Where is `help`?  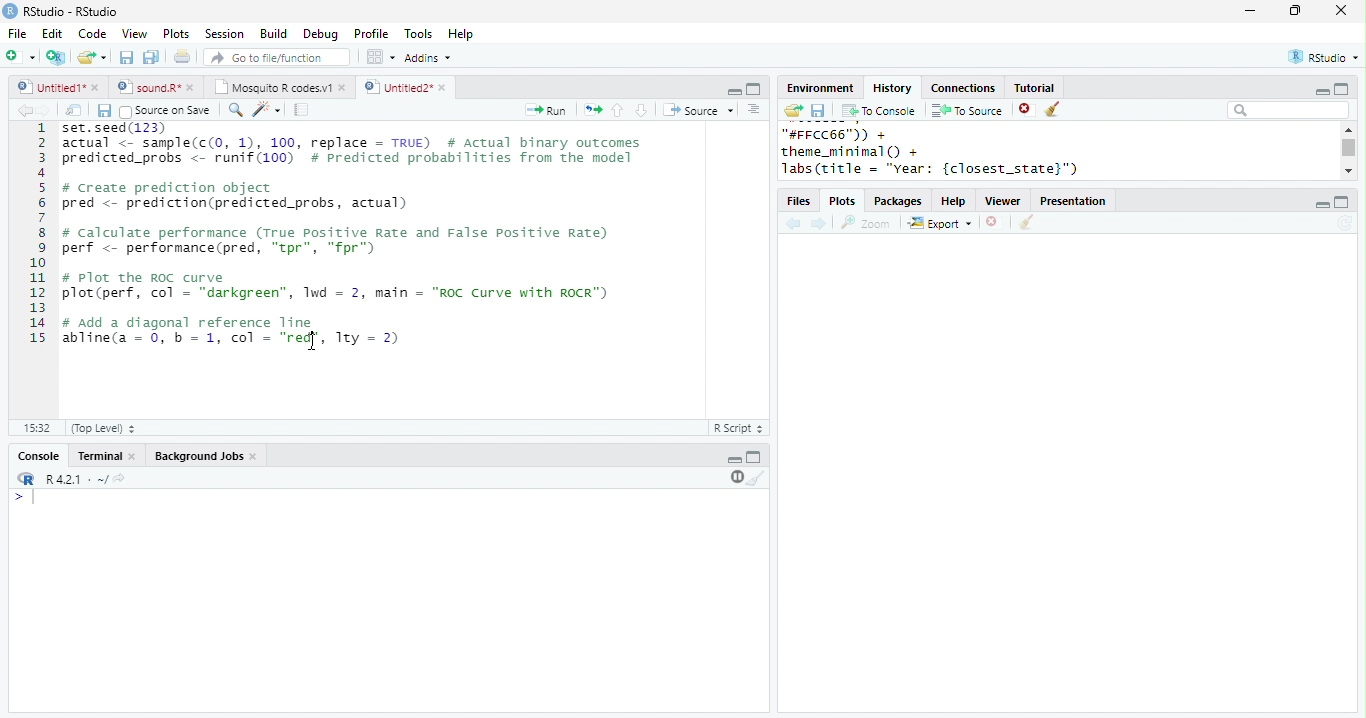 help is located at coordinates (954, 202).